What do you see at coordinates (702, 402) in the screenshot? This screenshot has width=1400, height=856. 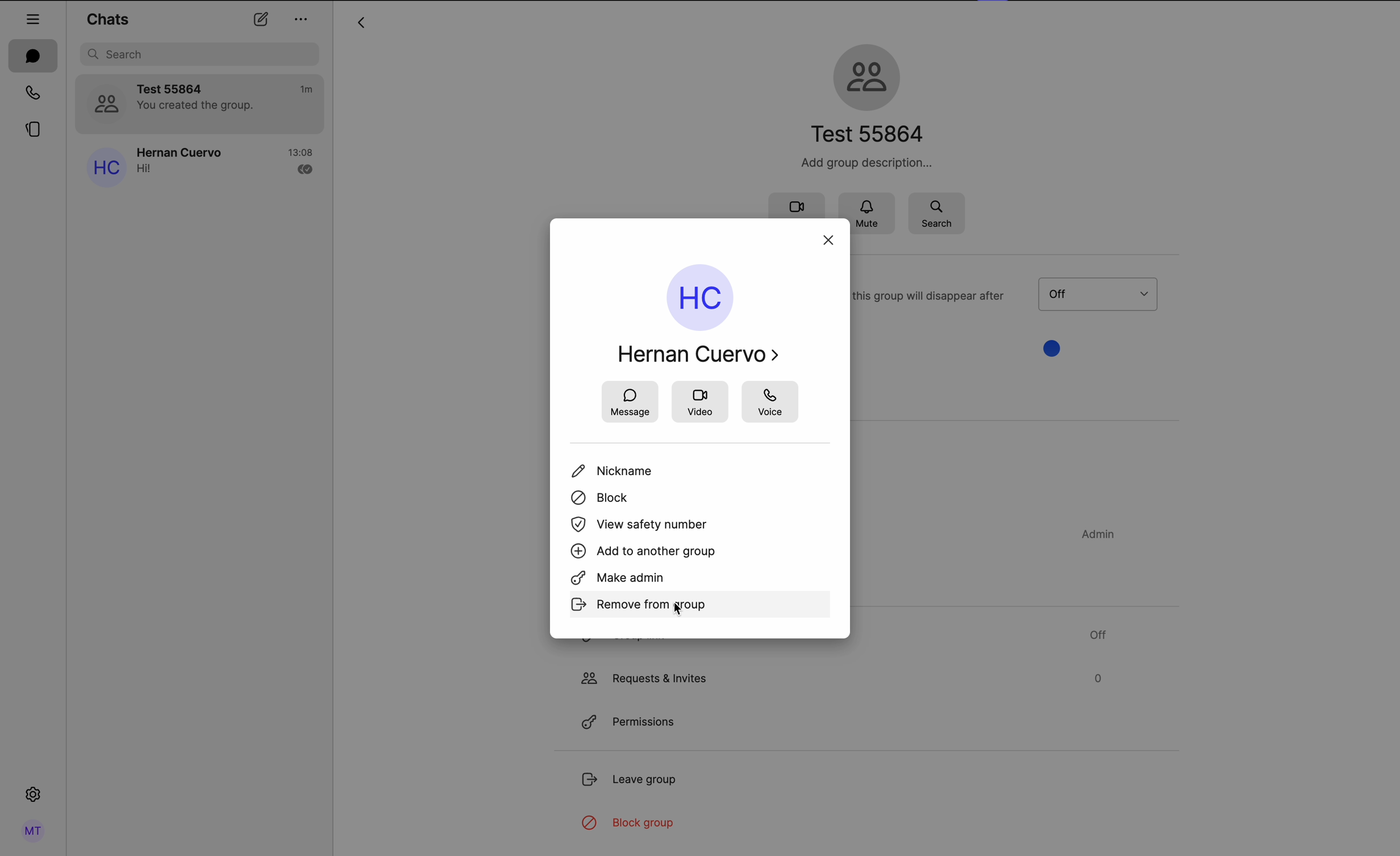 I see `video button` at bounding box center [702, 402].